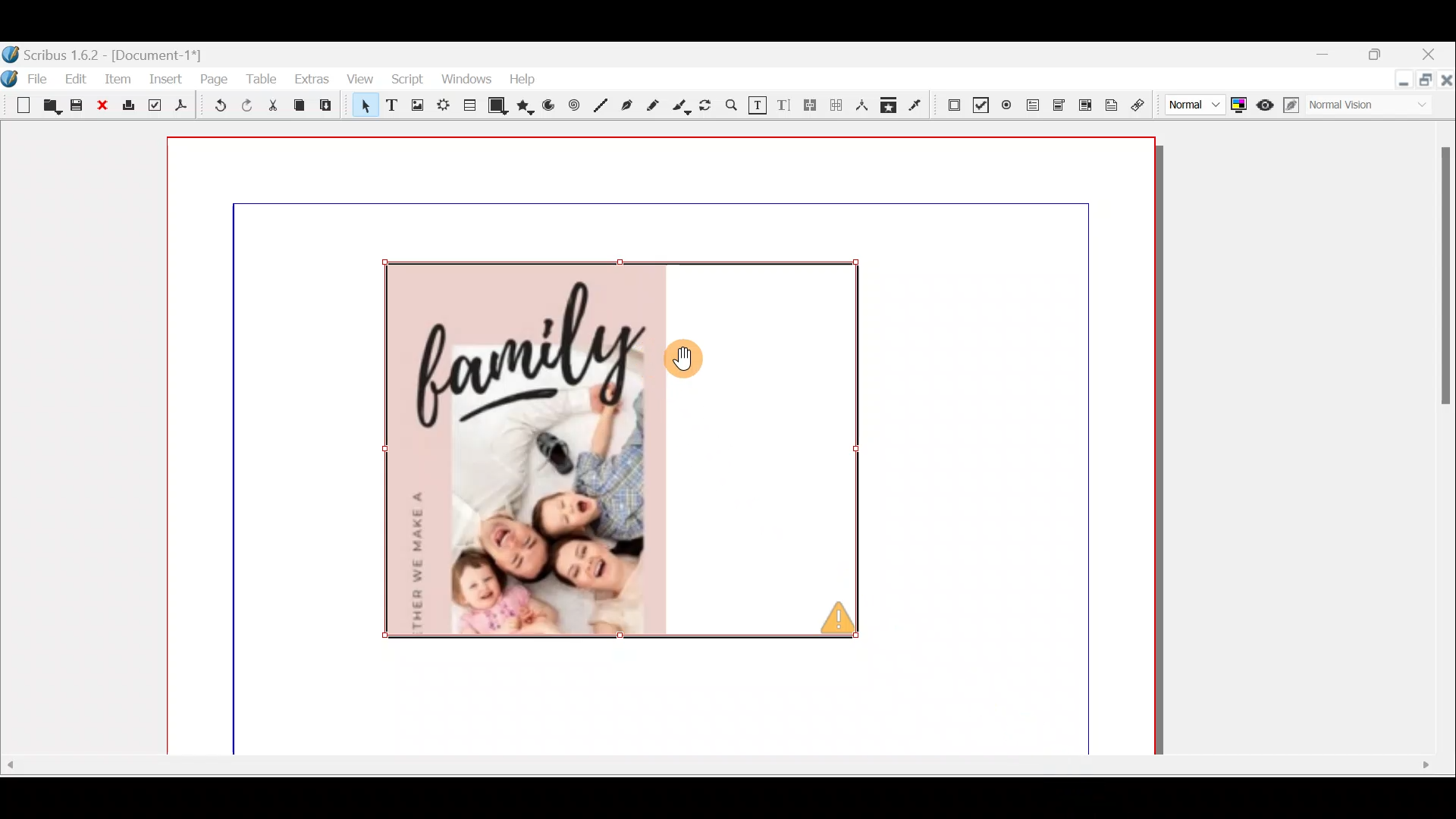 Image resolution: width=1456 pixels, height=819 pixels. Describe the element at coordinates (915, 103) in the screenshot. I see `Eye dropper` at that location.